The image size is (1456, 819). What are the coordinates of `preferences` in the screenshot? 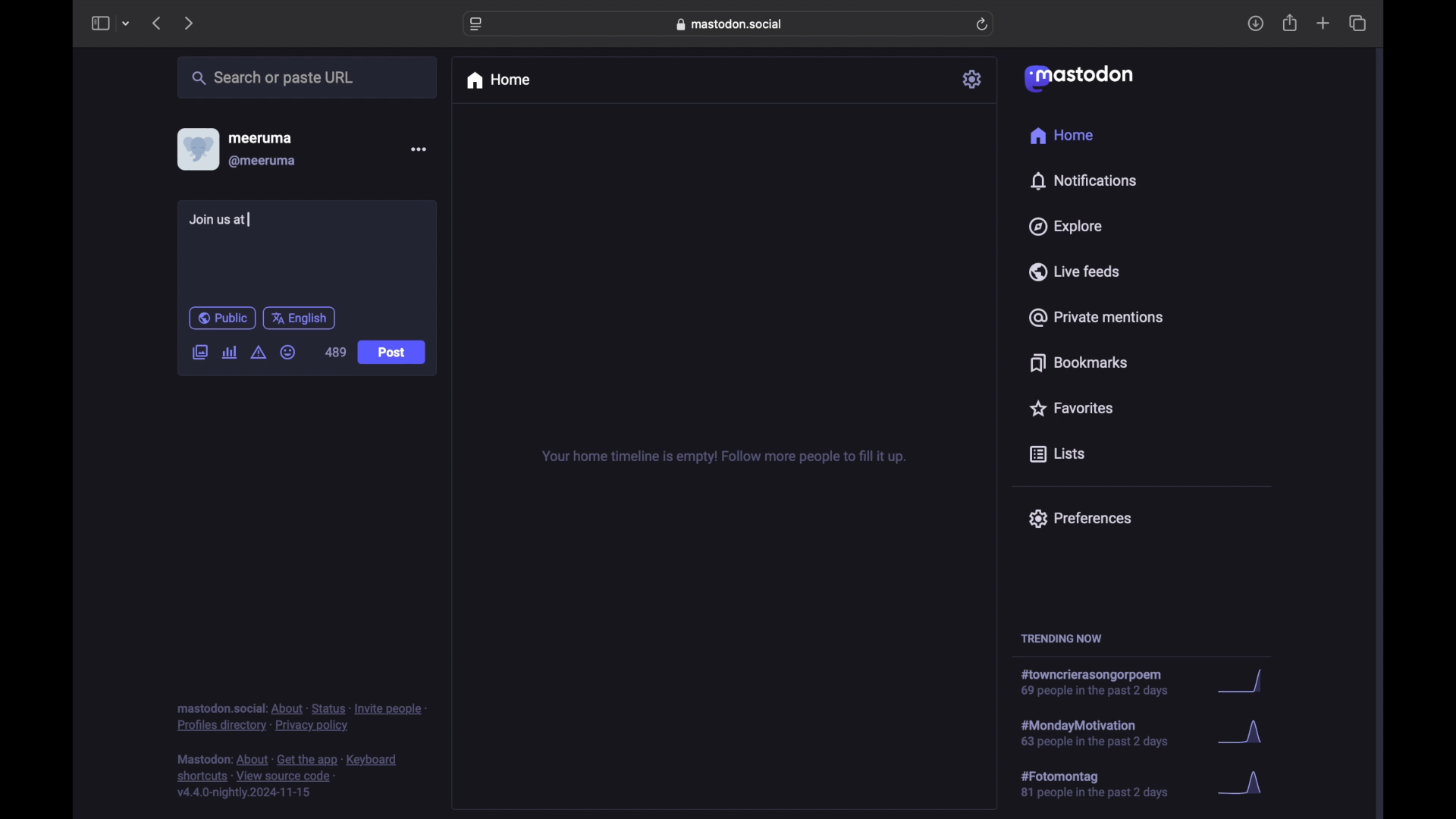 It's located at (1079, 517).